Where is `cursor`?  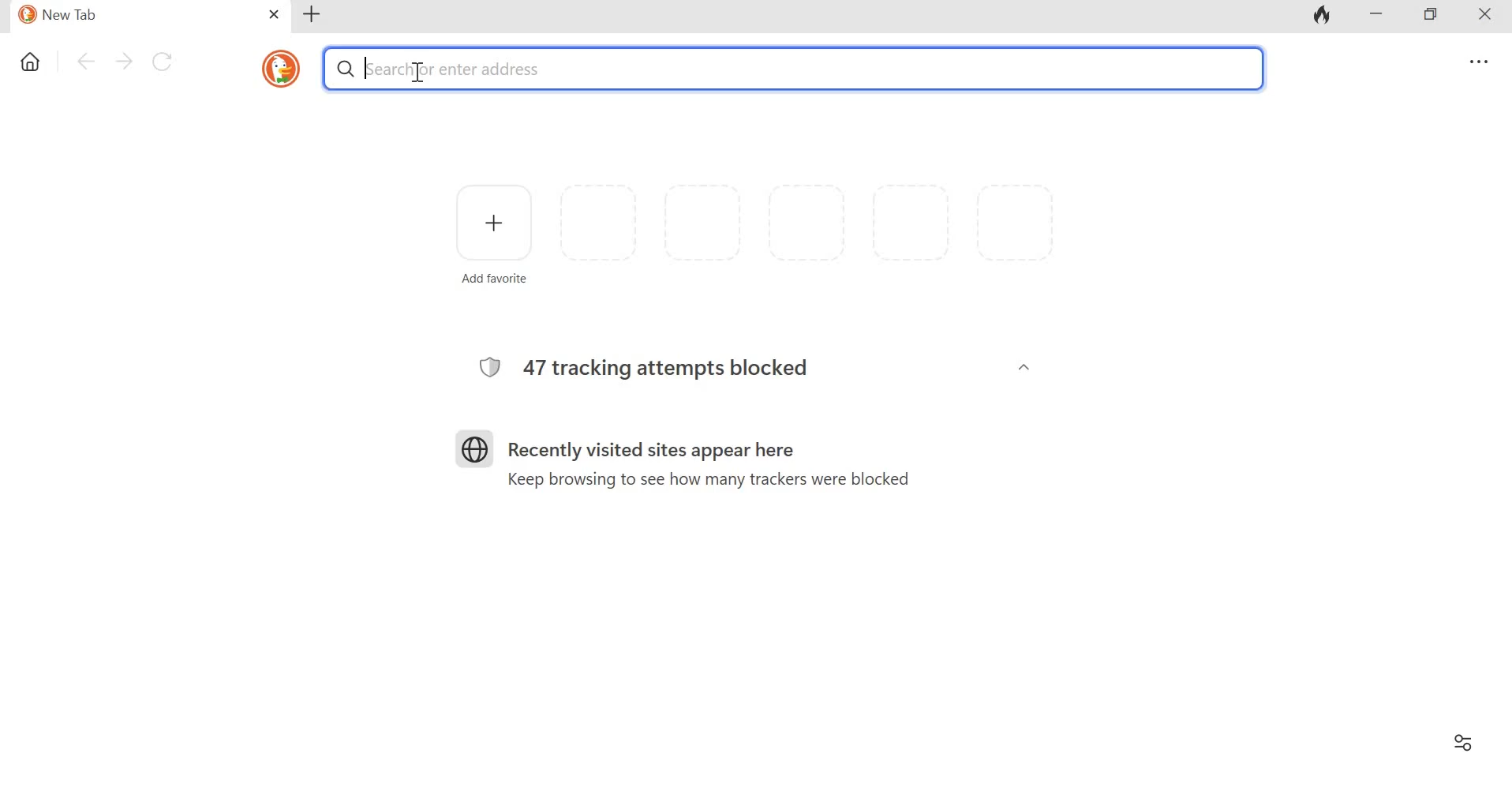
cursor is located at coordinates (414, 70).